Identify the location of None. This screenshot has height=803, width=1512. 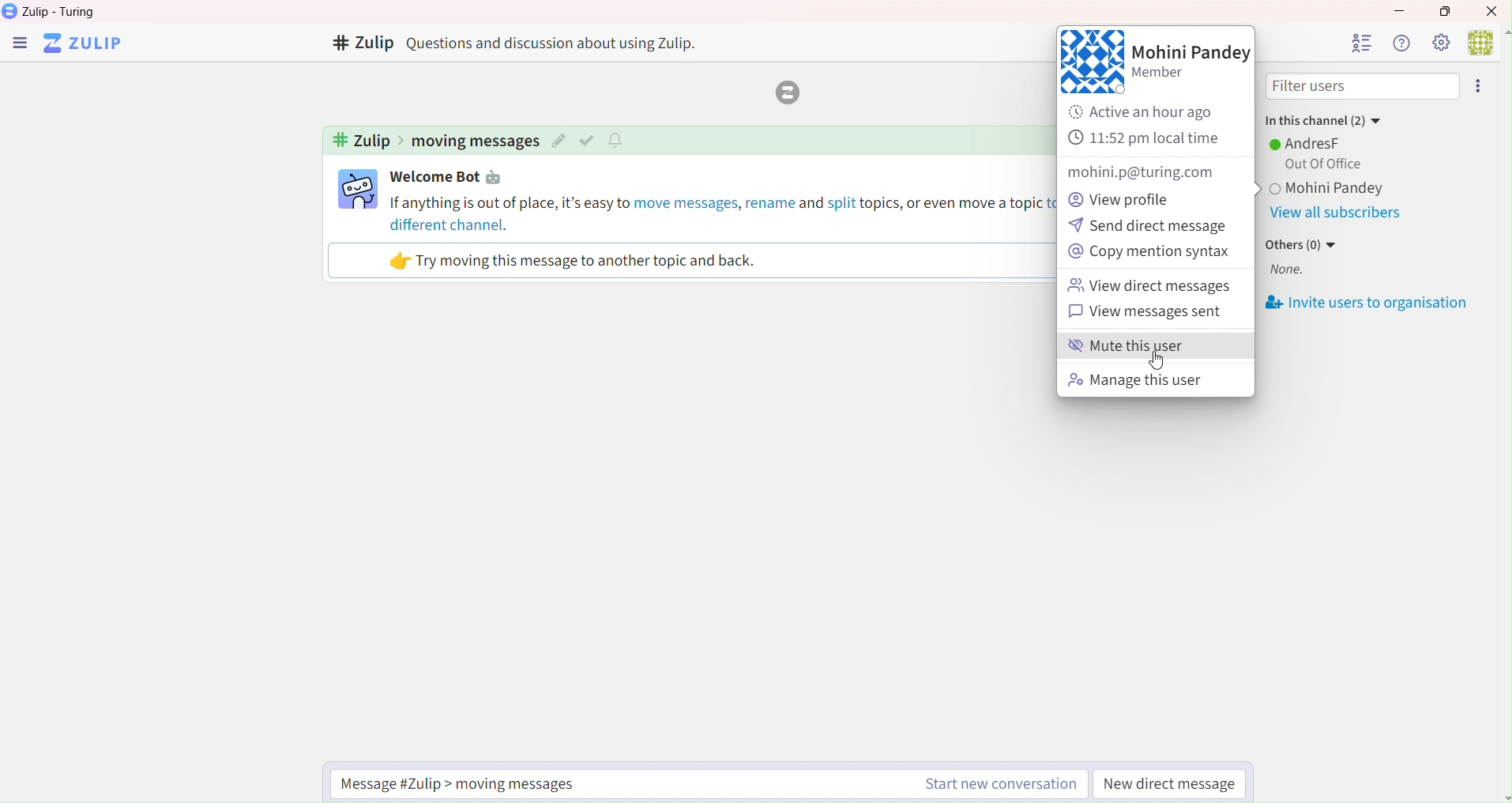
(1287, 271).